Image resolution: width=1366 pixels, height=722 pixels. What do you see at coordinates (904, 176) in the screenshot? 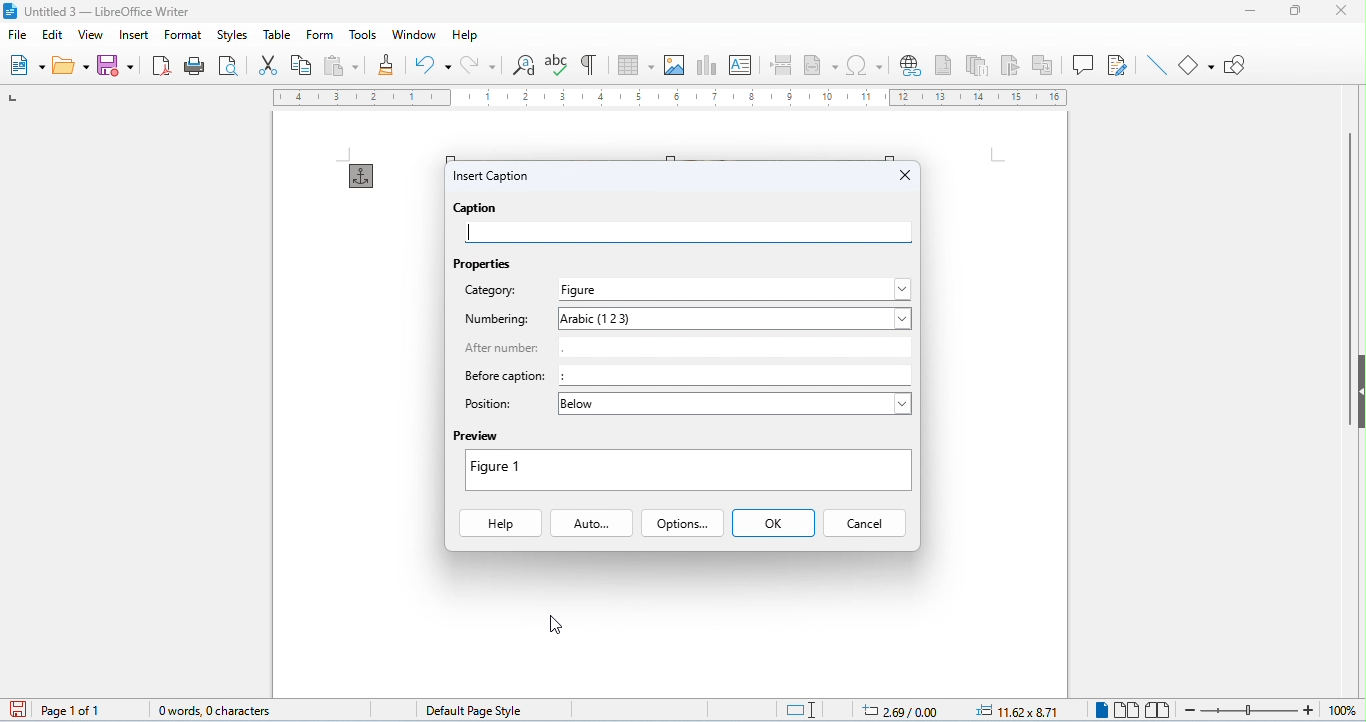
I see `close` at bounding box center [904, 176].